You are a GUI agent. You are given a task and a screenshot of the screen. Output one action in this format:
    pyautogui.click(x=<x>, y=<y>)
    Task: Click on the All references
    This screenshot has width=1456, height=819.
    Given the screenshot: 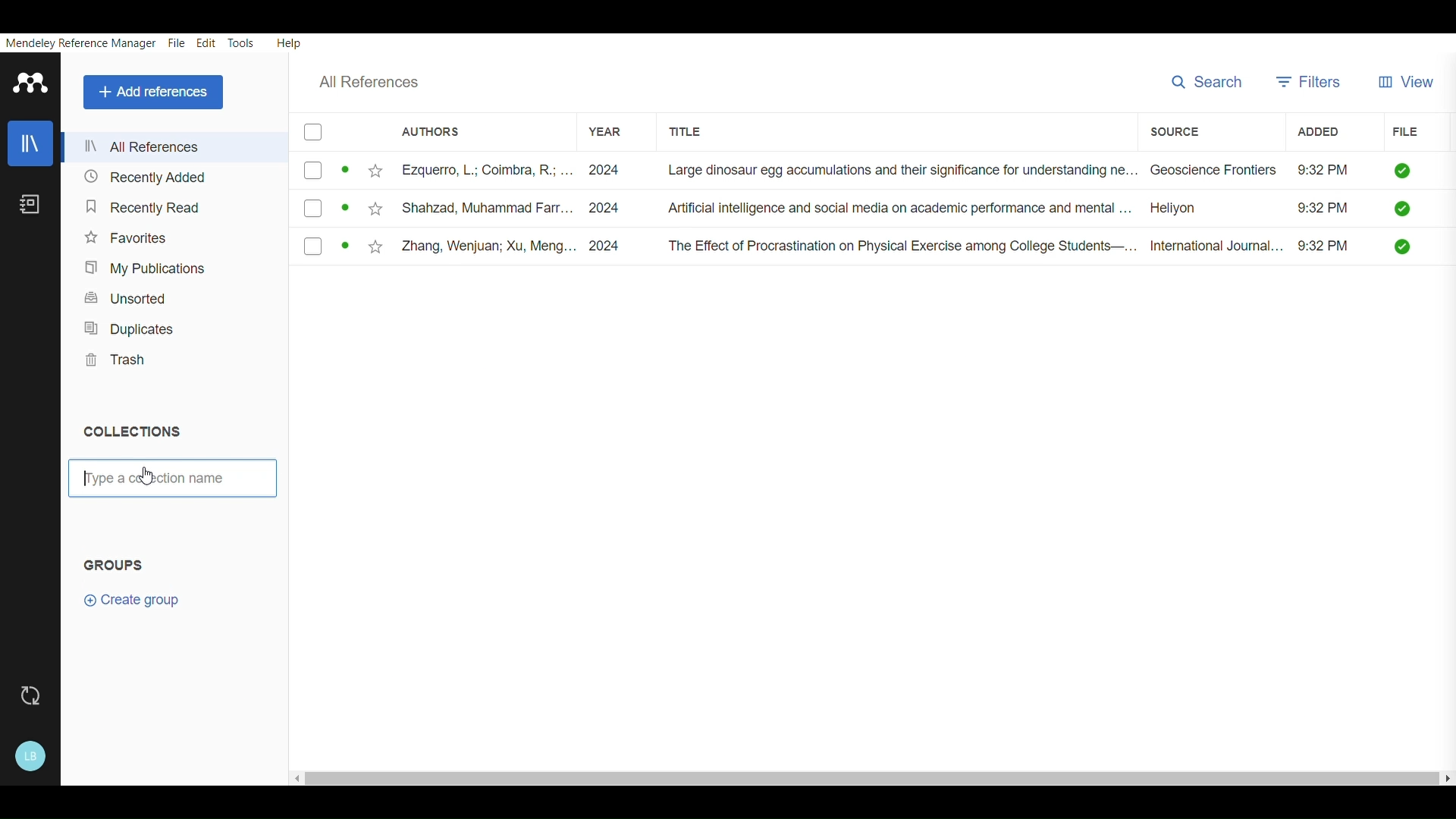 What is the action you would take?
    pyautogui.click(x=380, y=81)
    